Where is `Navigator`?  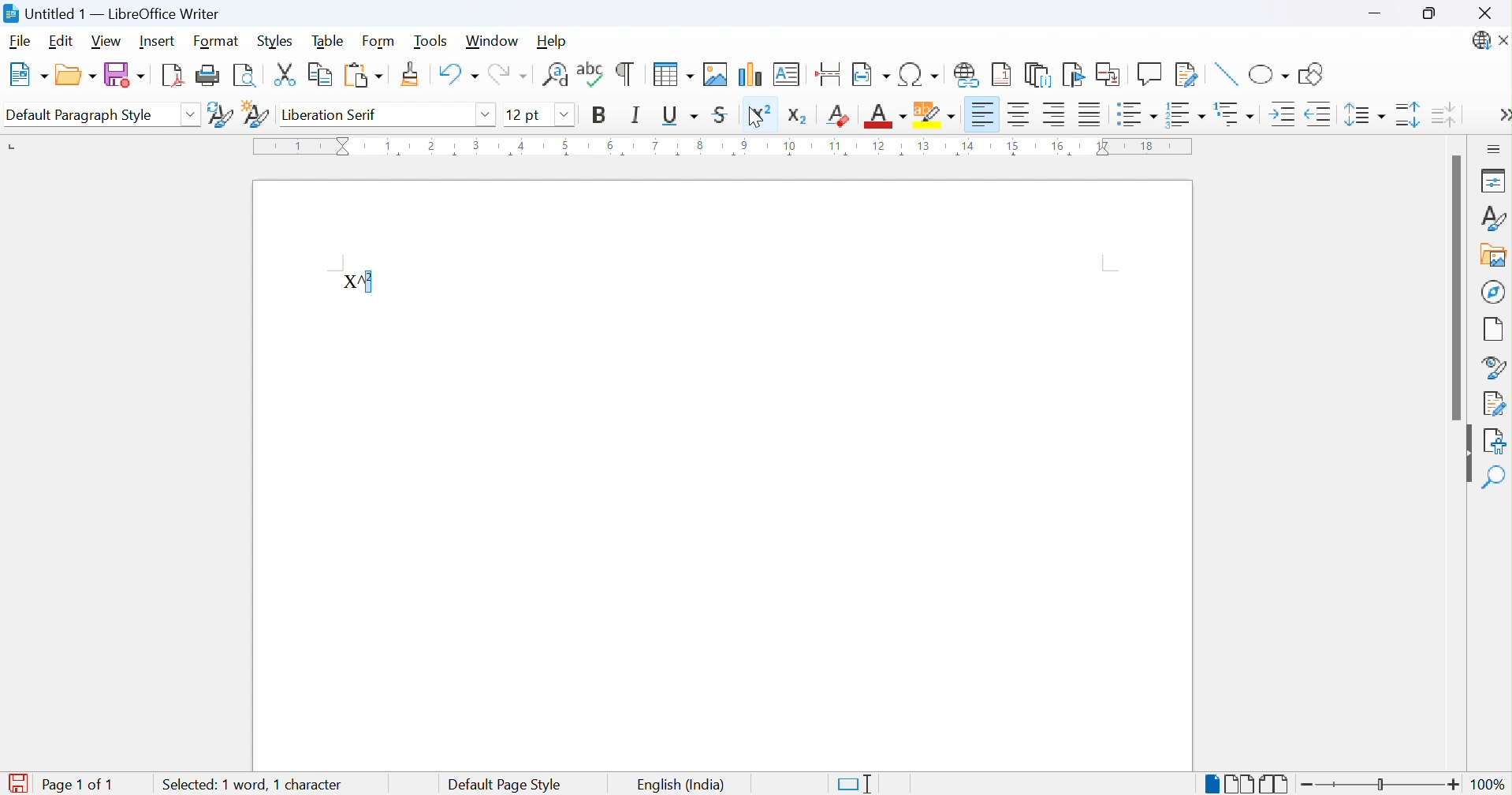 Navigator is located at coordinates (1492, 291).